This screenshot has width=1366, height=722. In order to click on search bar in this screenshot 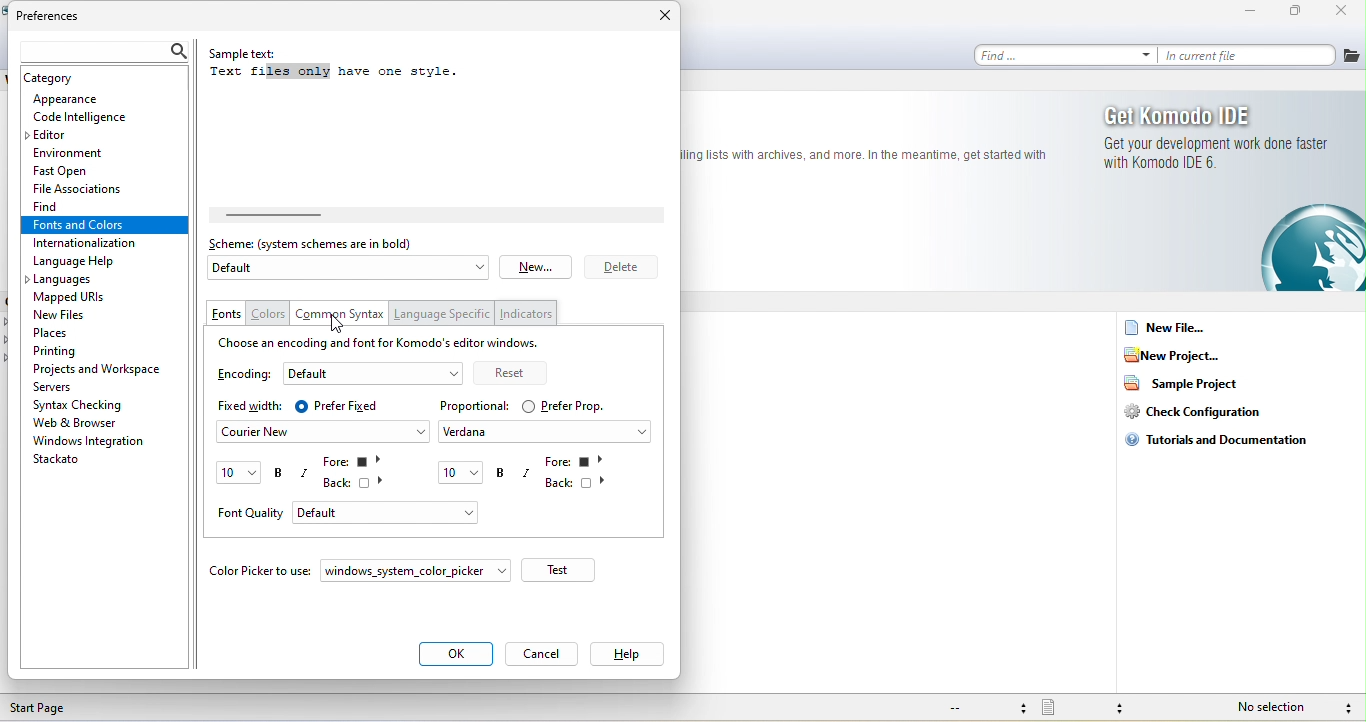, I will do `click(106, 51)`.